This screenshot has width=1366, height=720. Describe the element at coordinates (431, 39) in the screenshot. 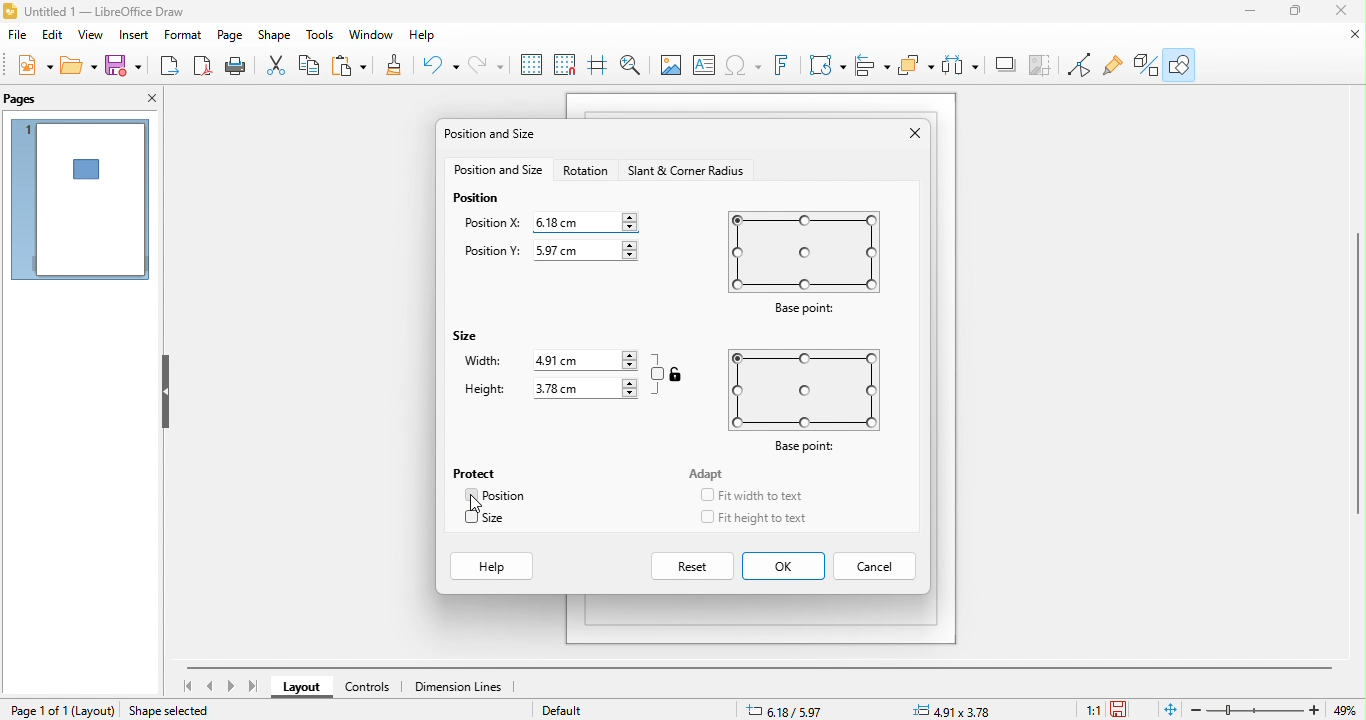

I see `help` at that location.